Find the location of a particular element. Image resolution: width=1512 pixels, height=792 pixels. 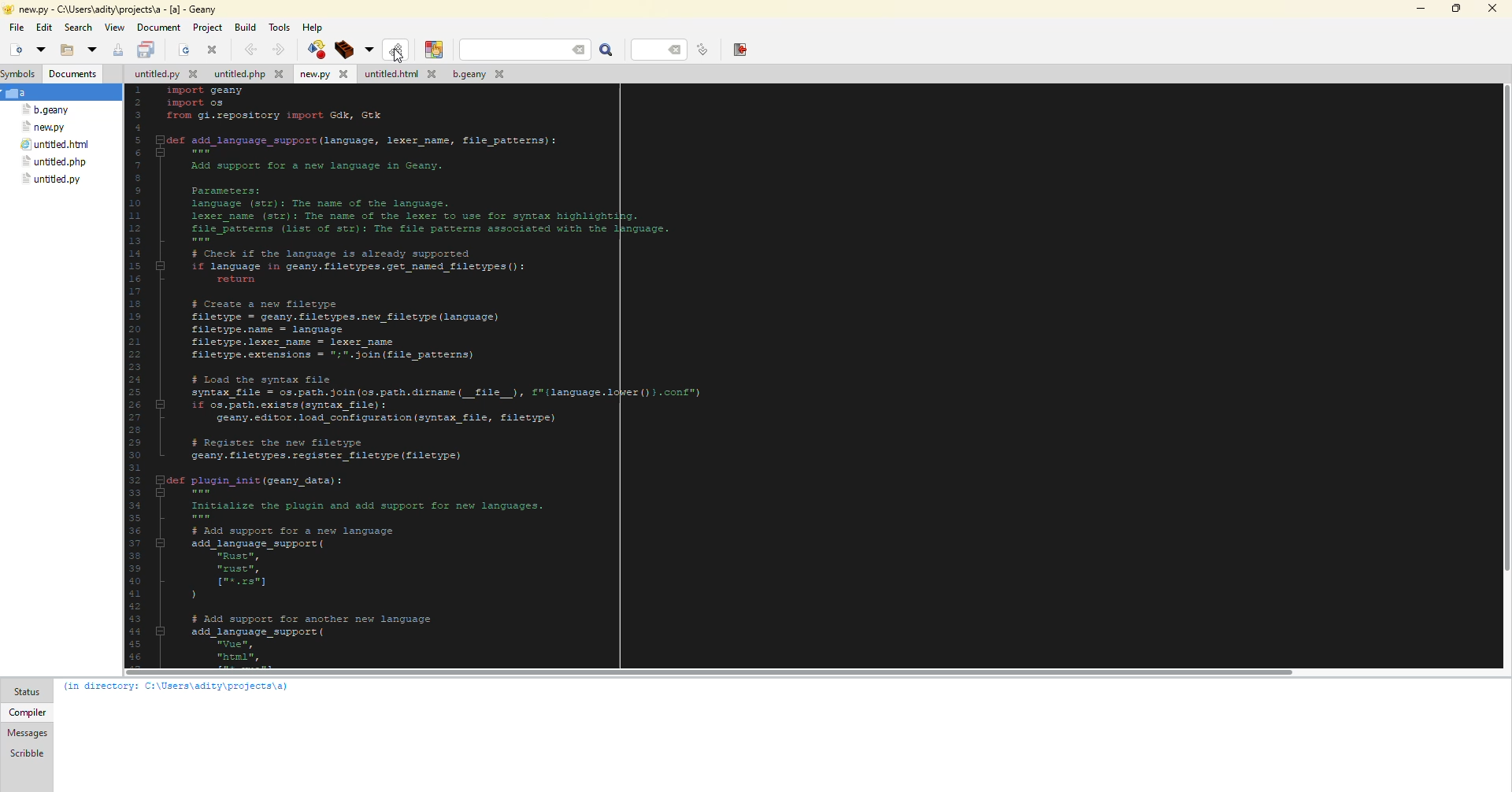

color is located at coordinates (435, 50).